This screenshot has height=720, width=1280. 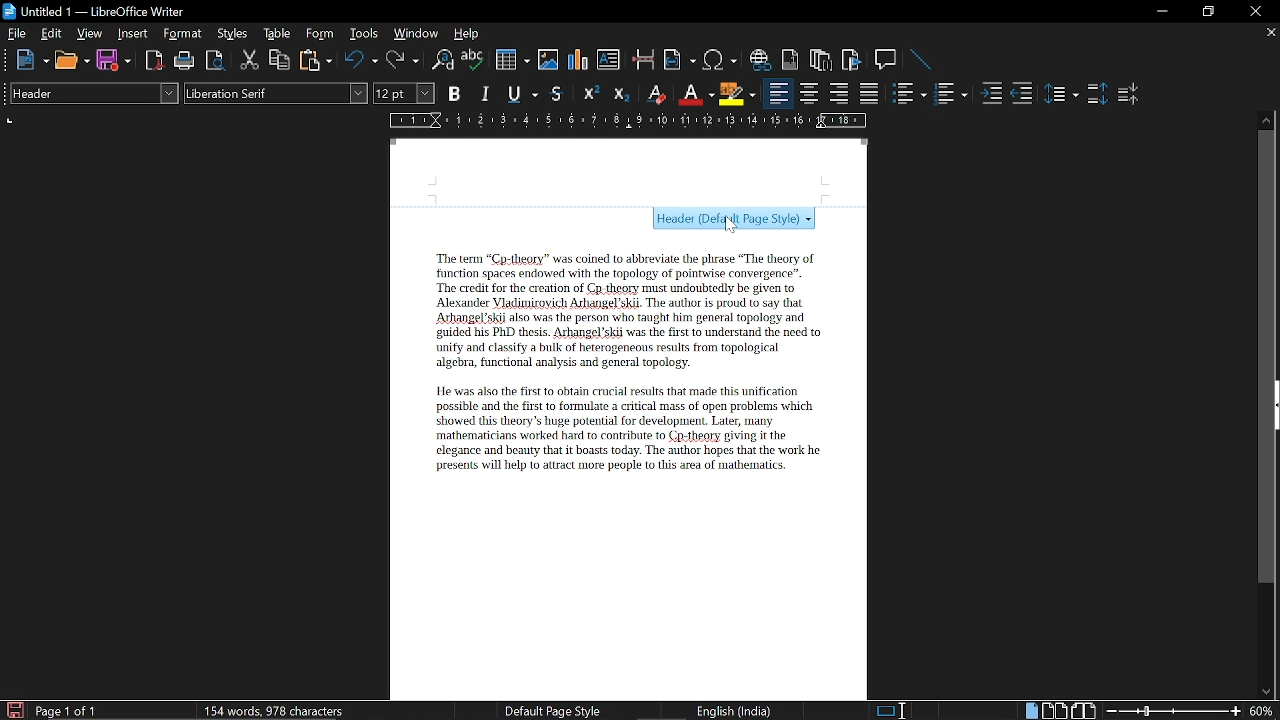 What do you see at coordinates (626, 122) in the screenshot?
I see `SCale` at bounding box center [626, 122].